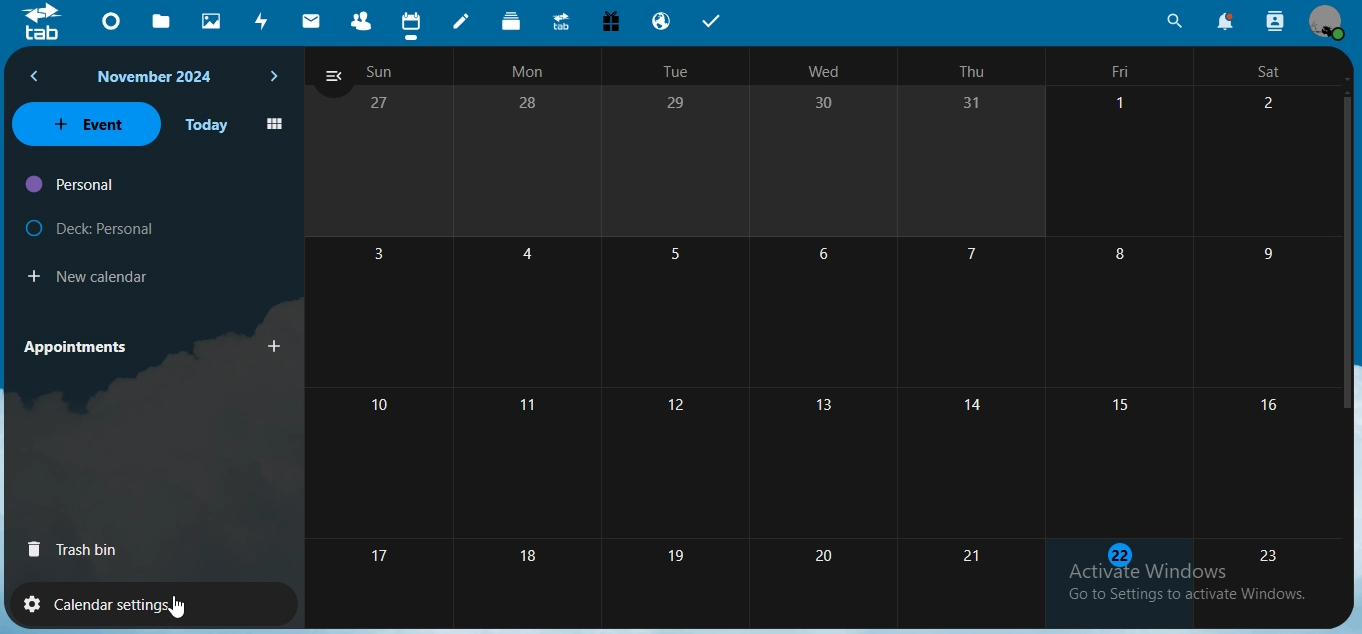 This screenshot has width=1362, height=634. I want to click on search contact, so click(1274, 19).